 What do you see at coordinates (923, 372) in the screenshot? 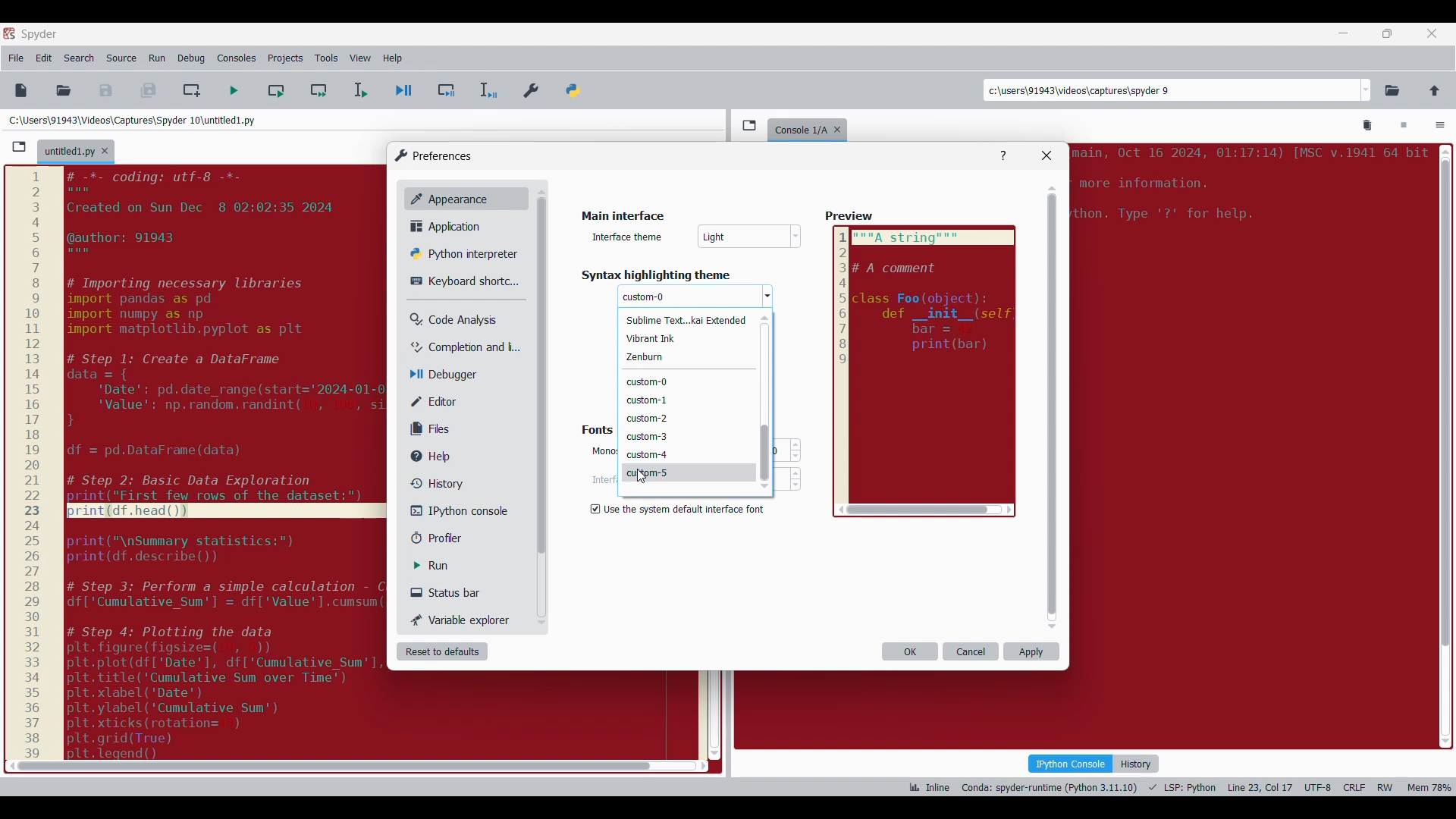
I see `Preview reflecting selected color` at bounding box center [923, 372].